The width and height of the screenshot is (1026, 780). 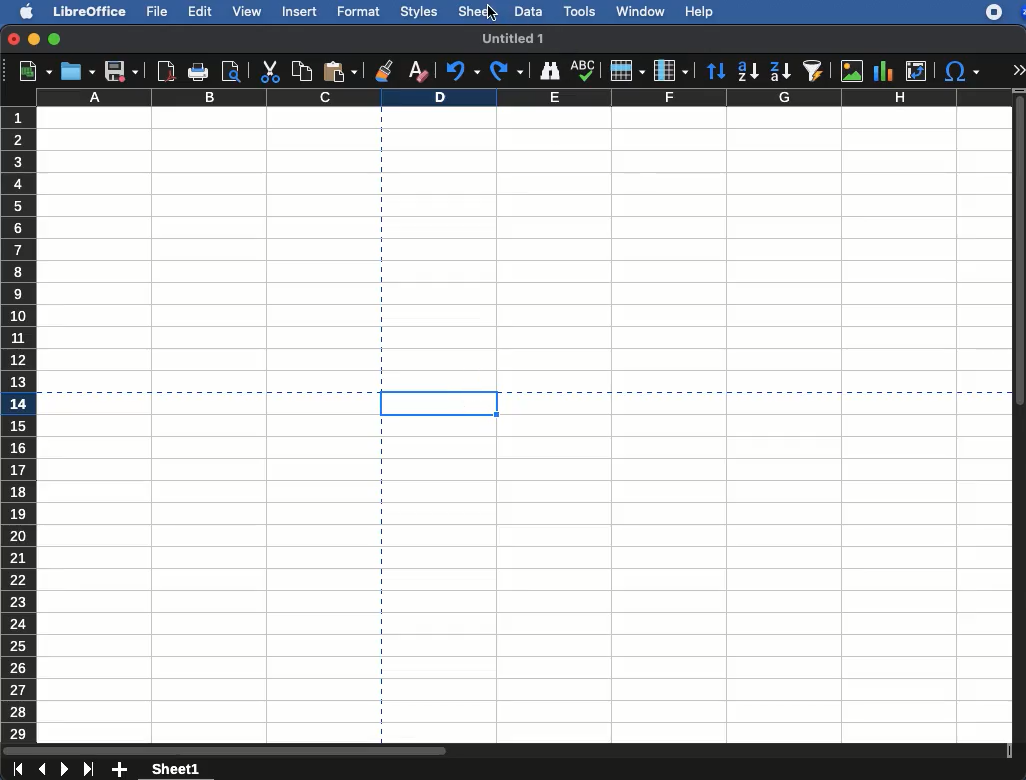 What do you see at coordinates (358, 10) in the screenshot?
I see `format` at bounding box center [358, 10].